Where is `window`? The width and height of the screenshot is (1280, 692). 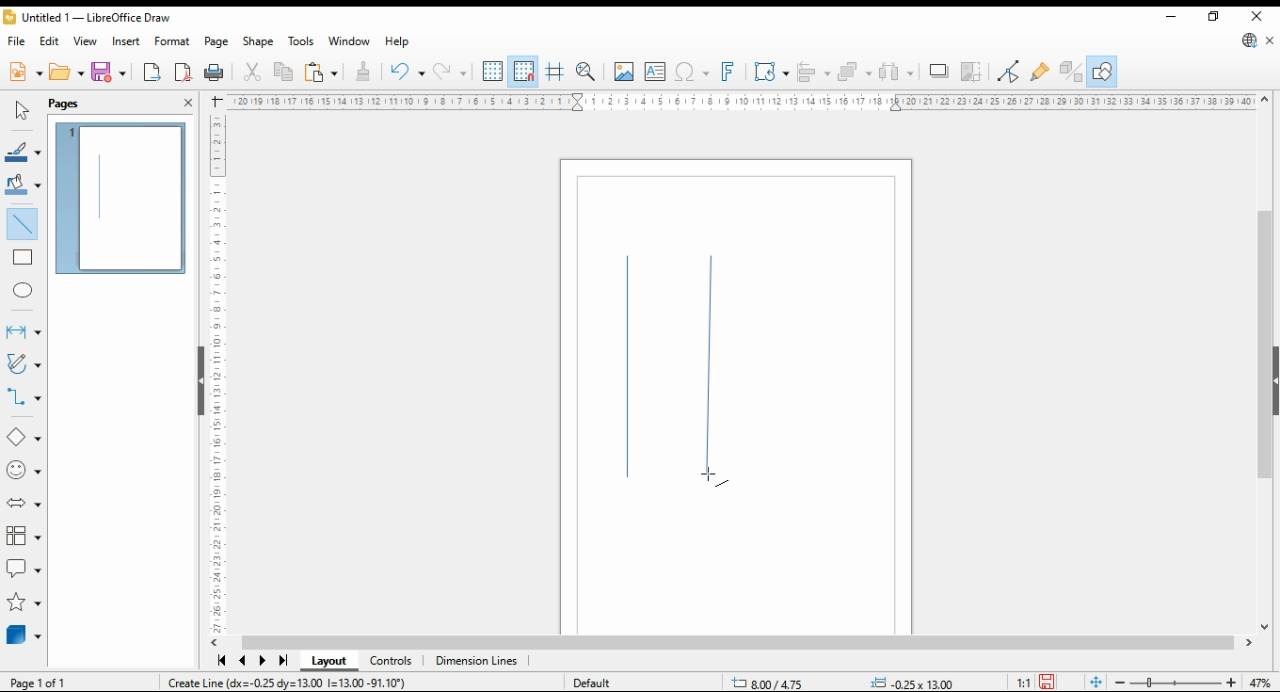
window is located at coordinates (348, 42).